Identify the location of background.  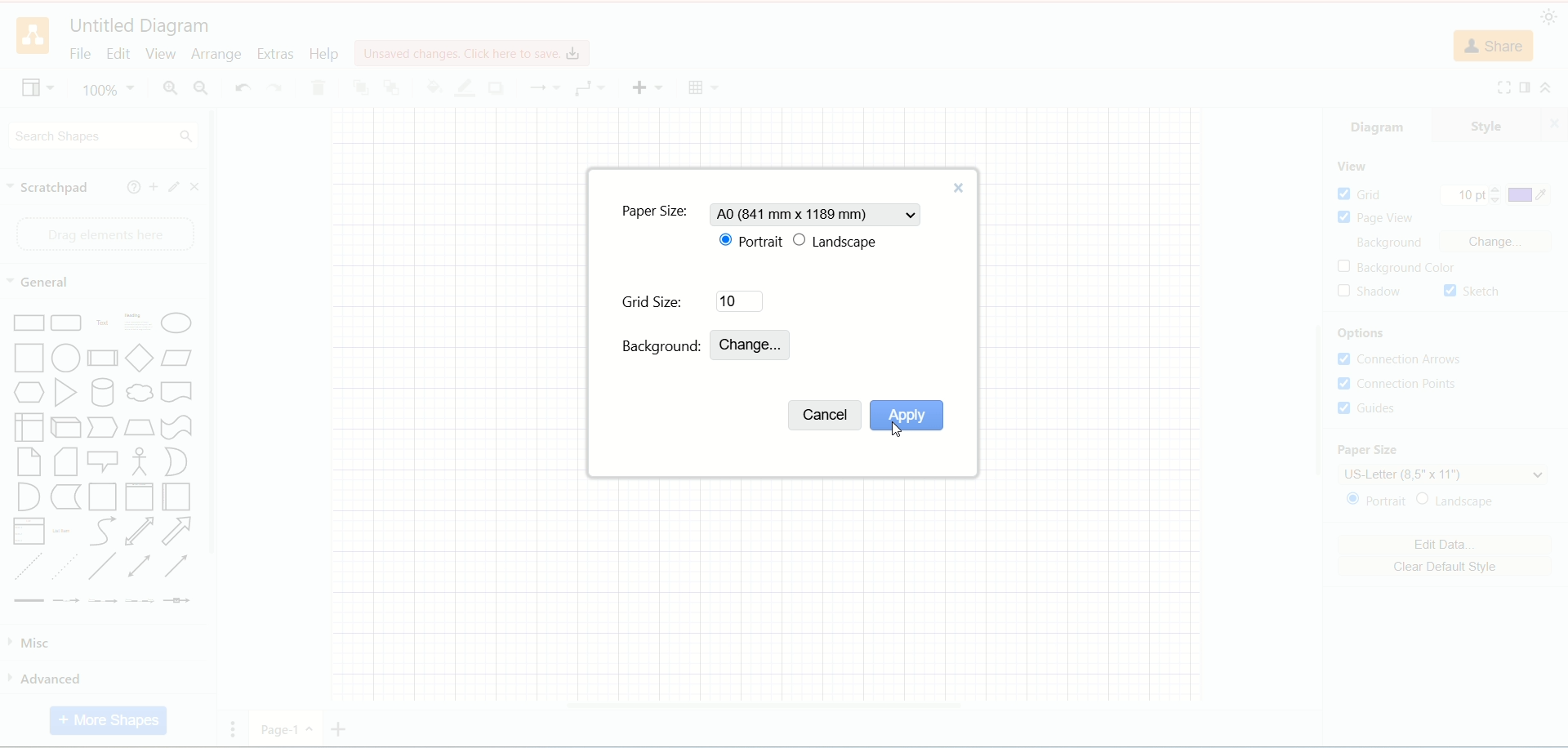
(1396, 244).